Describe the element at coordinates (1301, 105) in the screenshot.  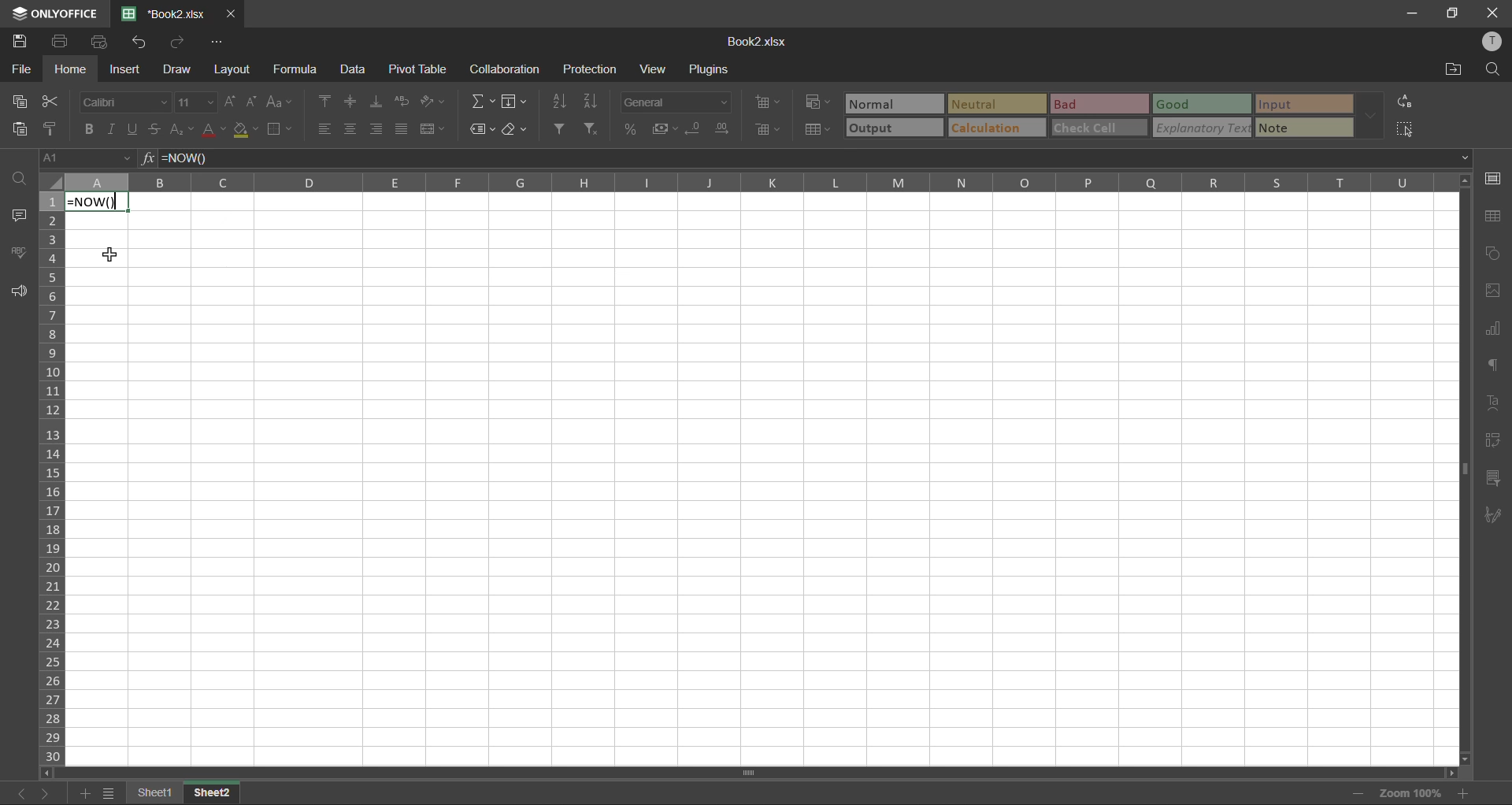
I see `input` at that location.